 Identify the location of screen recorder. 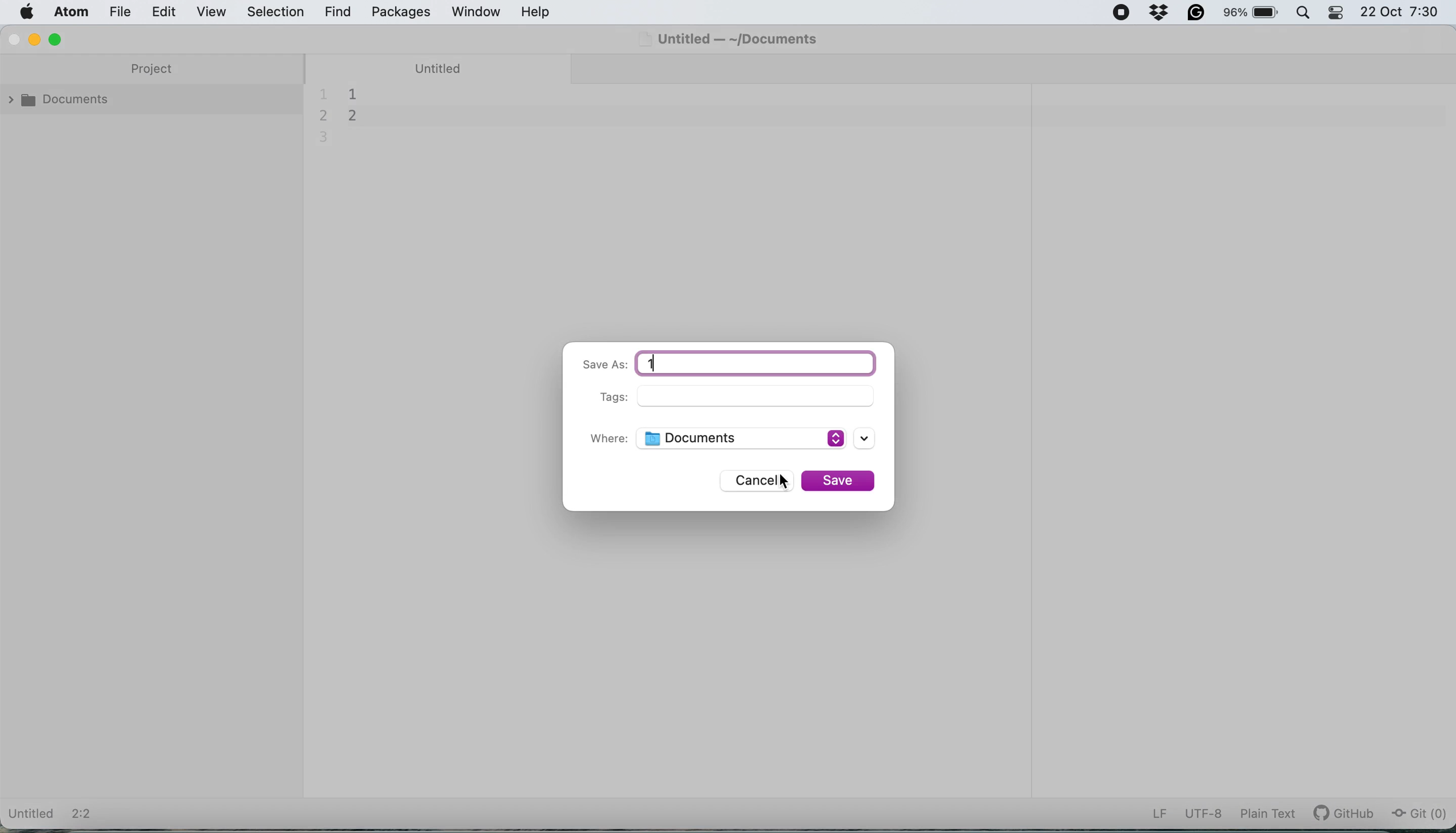
(1123, 14).